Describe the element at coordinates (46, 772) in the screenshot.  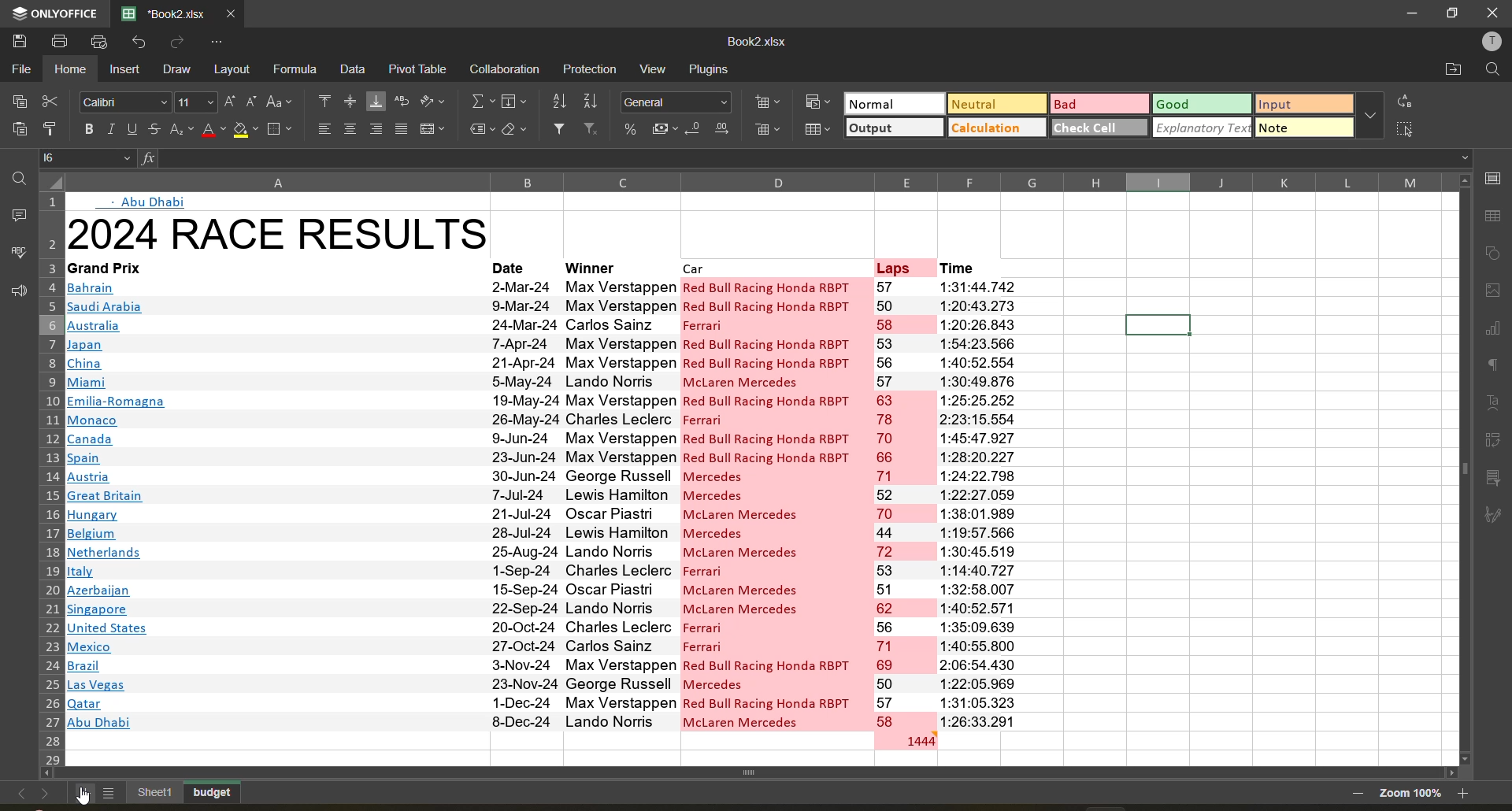
I see `scroll left` at that location.